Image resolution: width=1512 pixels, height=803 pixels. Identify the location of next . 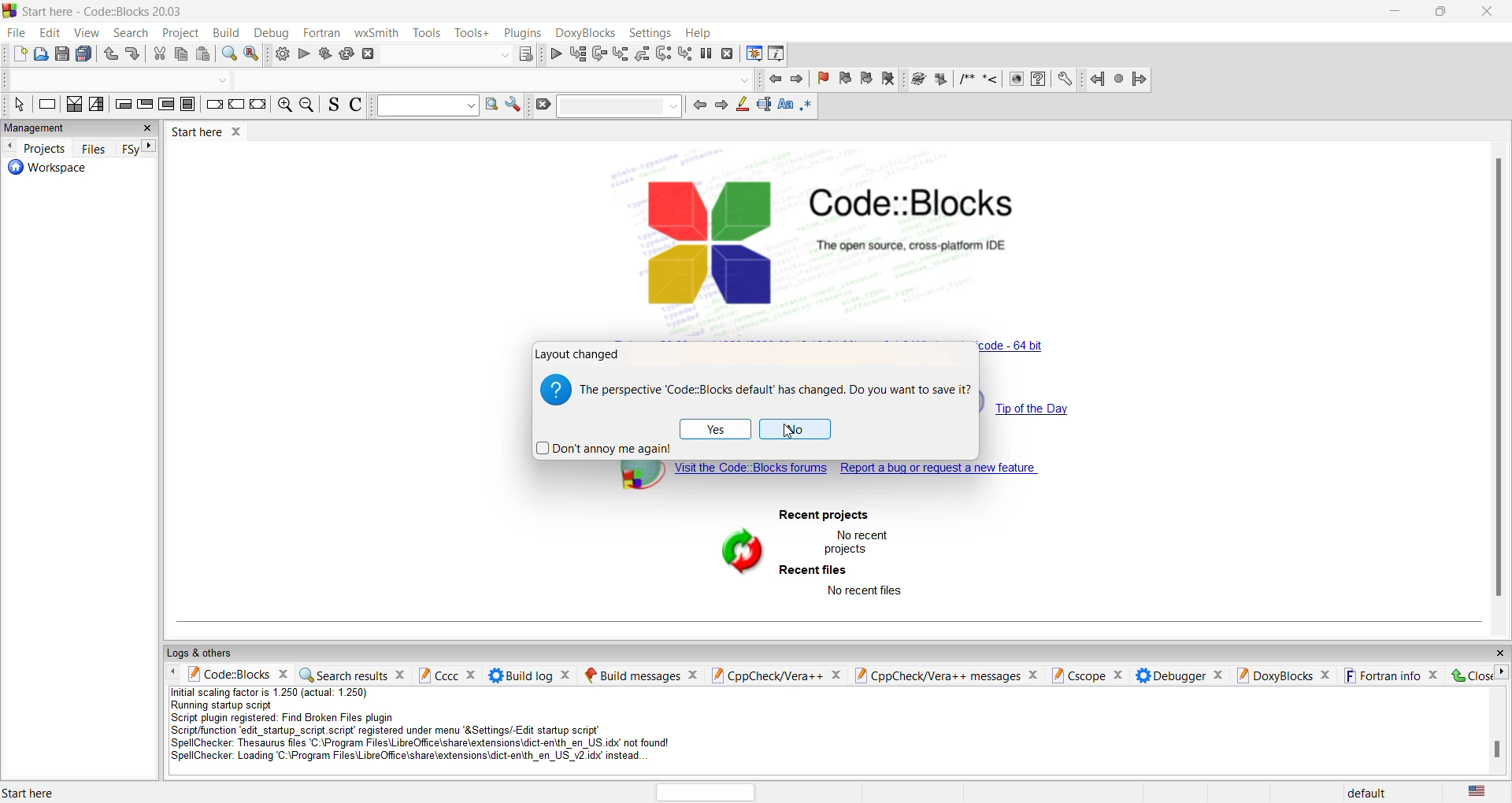
(796, 83).